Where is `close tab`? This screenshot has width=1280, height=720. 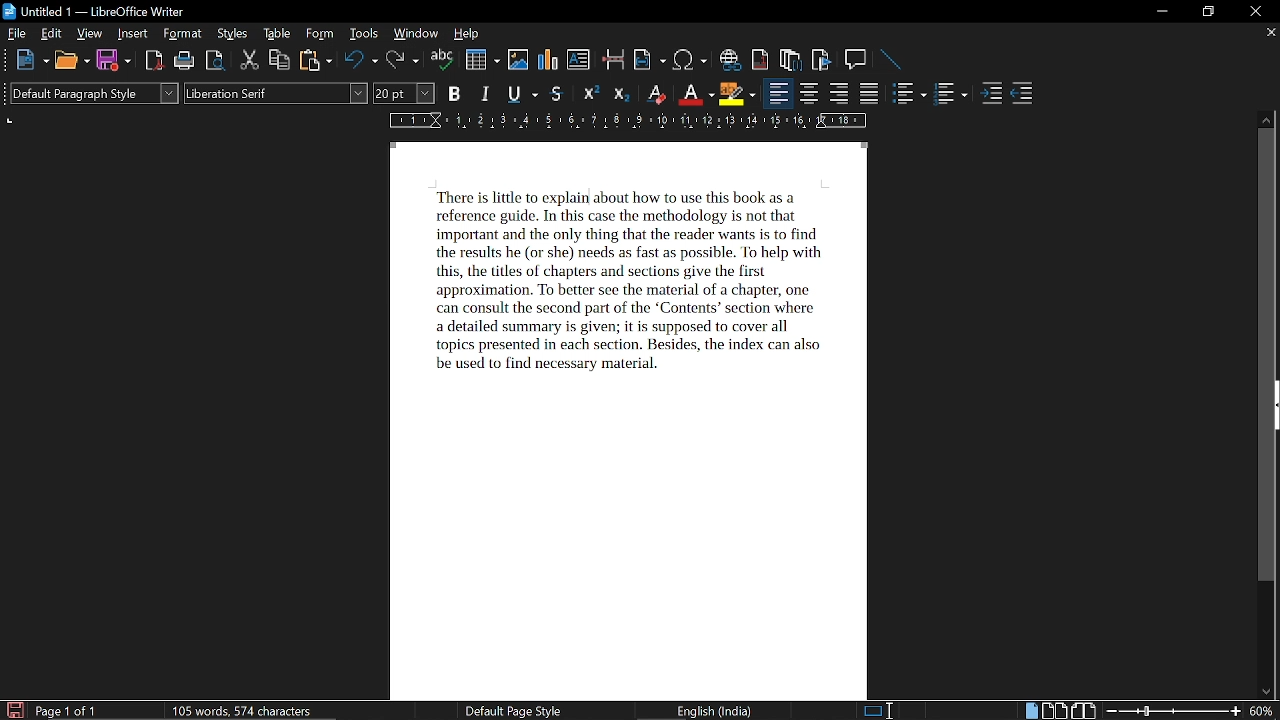
close tab is located at coordinates (1269, 34).